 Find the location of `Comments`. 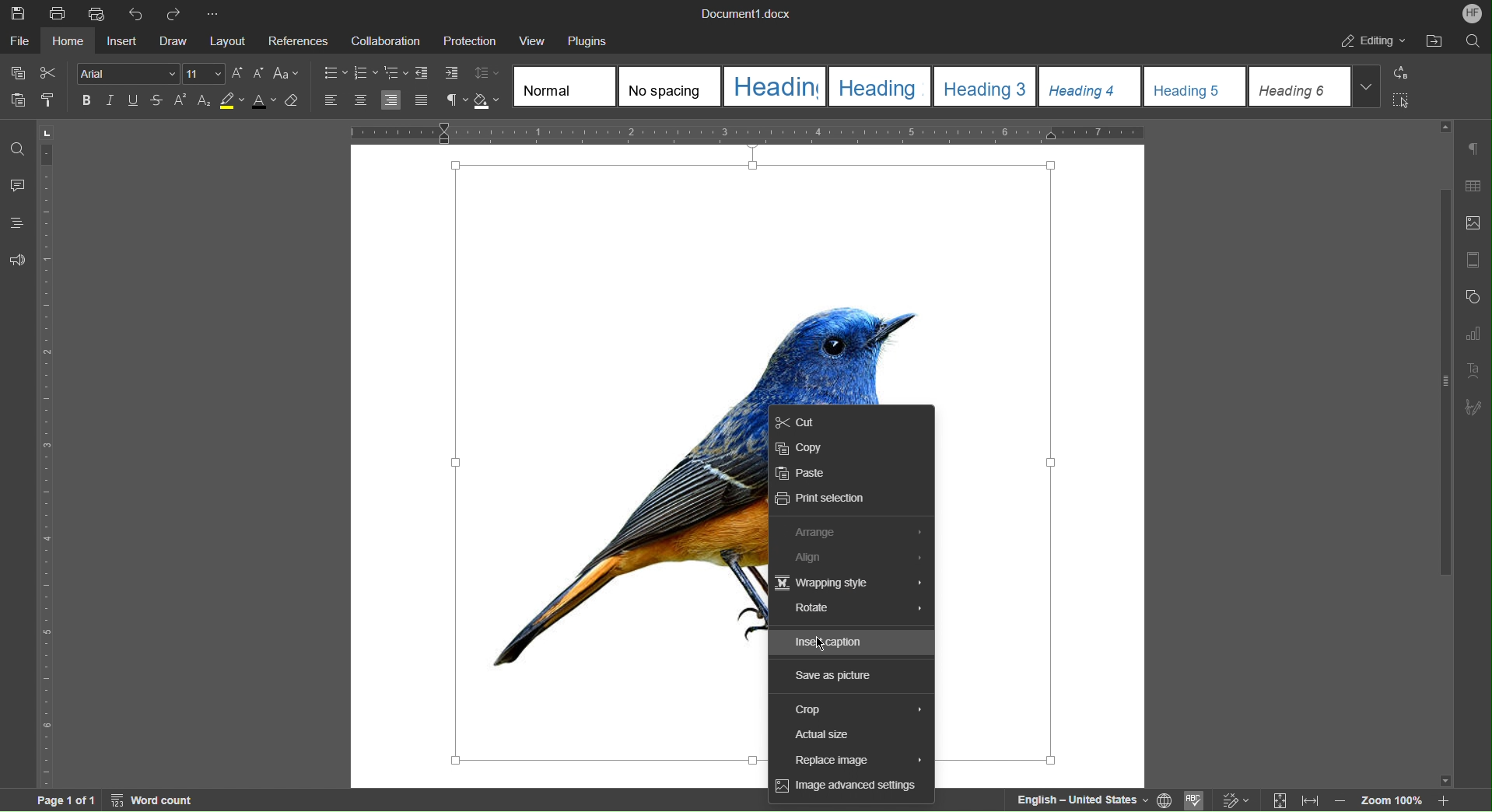

Comments is located at coordinates (18, 186).